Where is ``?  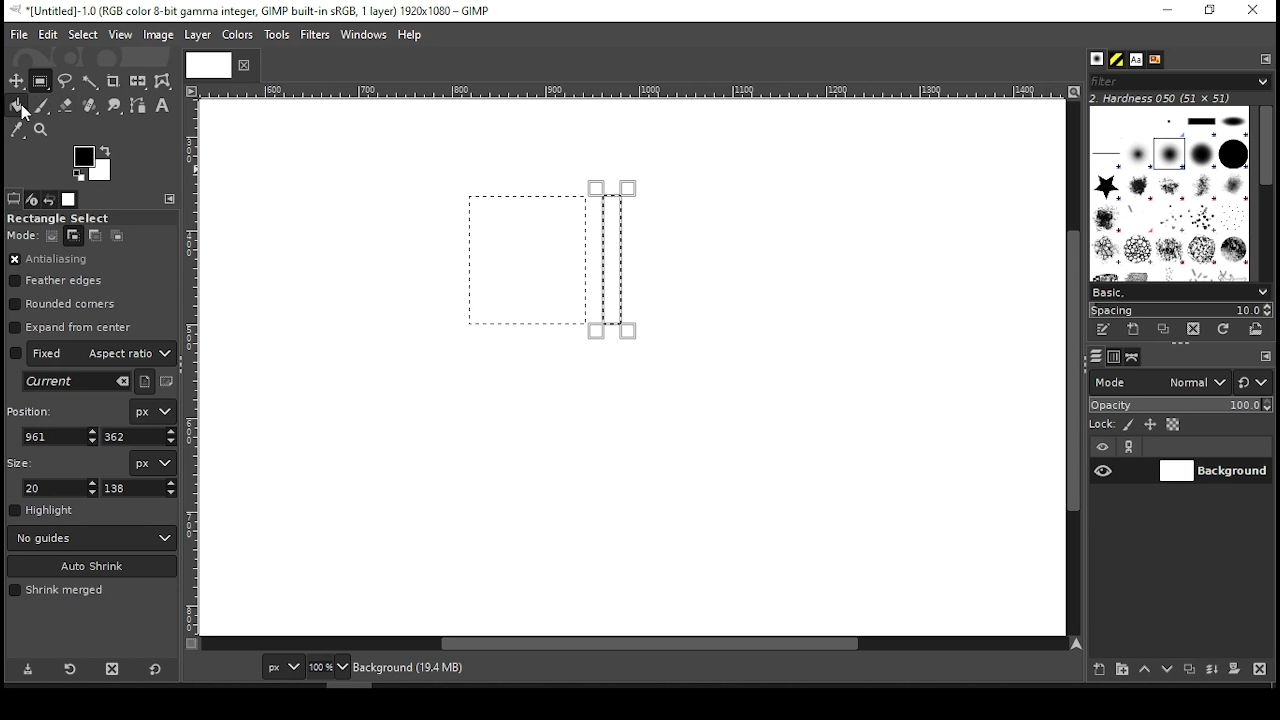
 is located at coordinates (205, 64).